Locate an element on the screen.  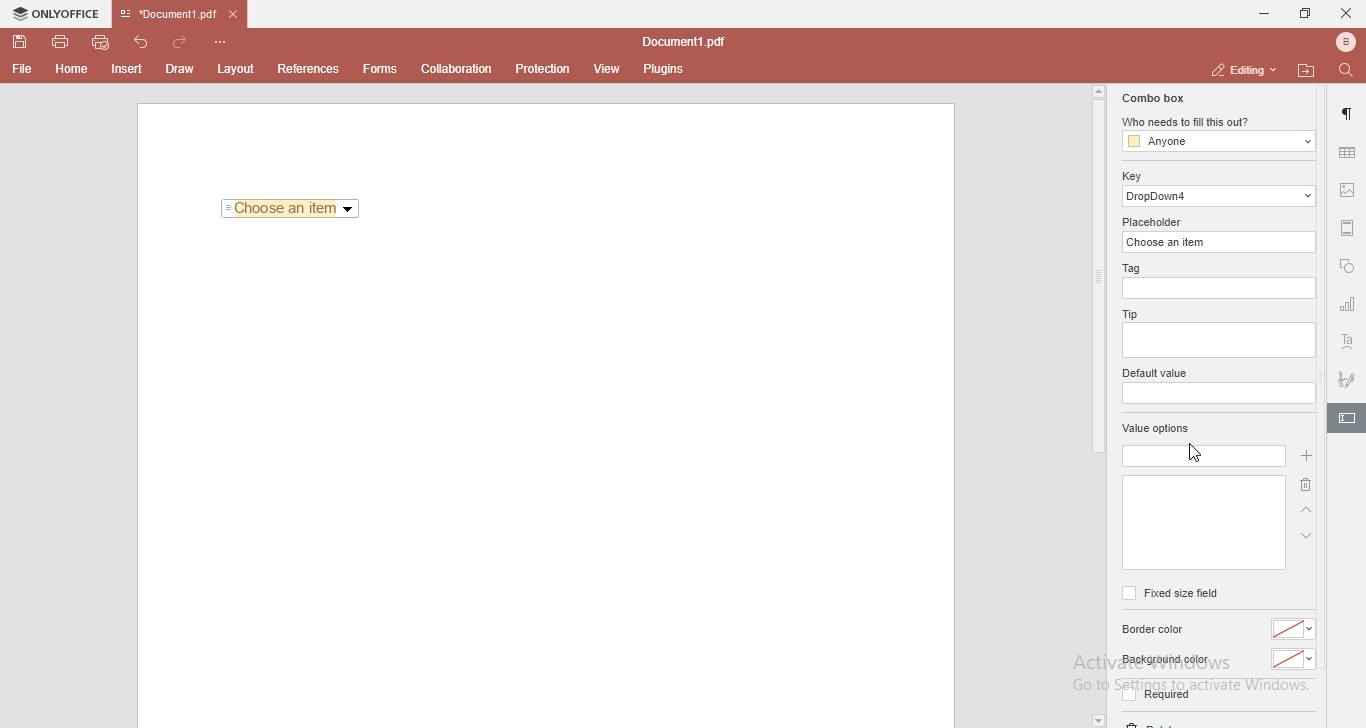
image is located at coordinates (1349, 192).